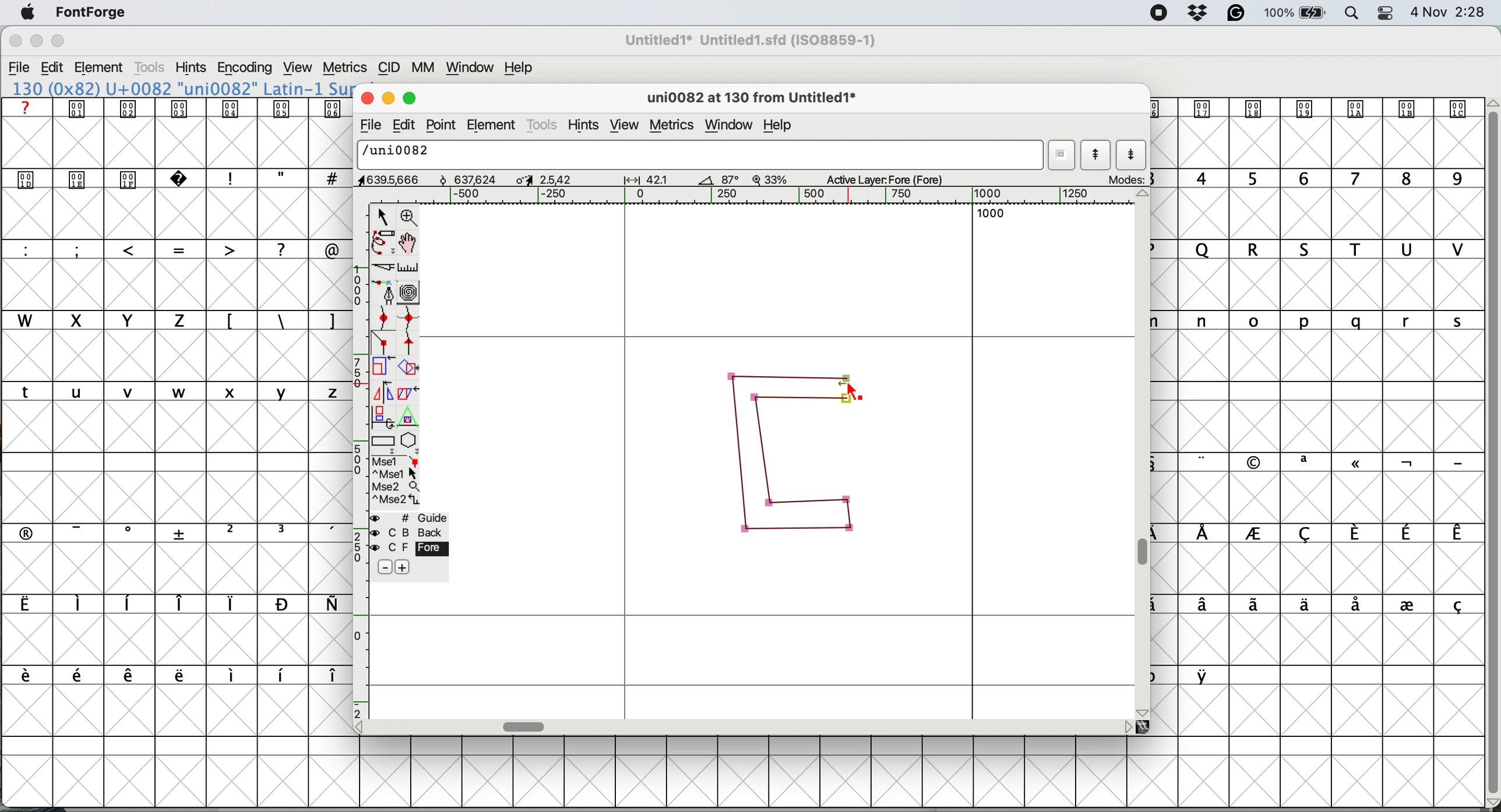  I want to click on scroll button, so click(1127, 726).